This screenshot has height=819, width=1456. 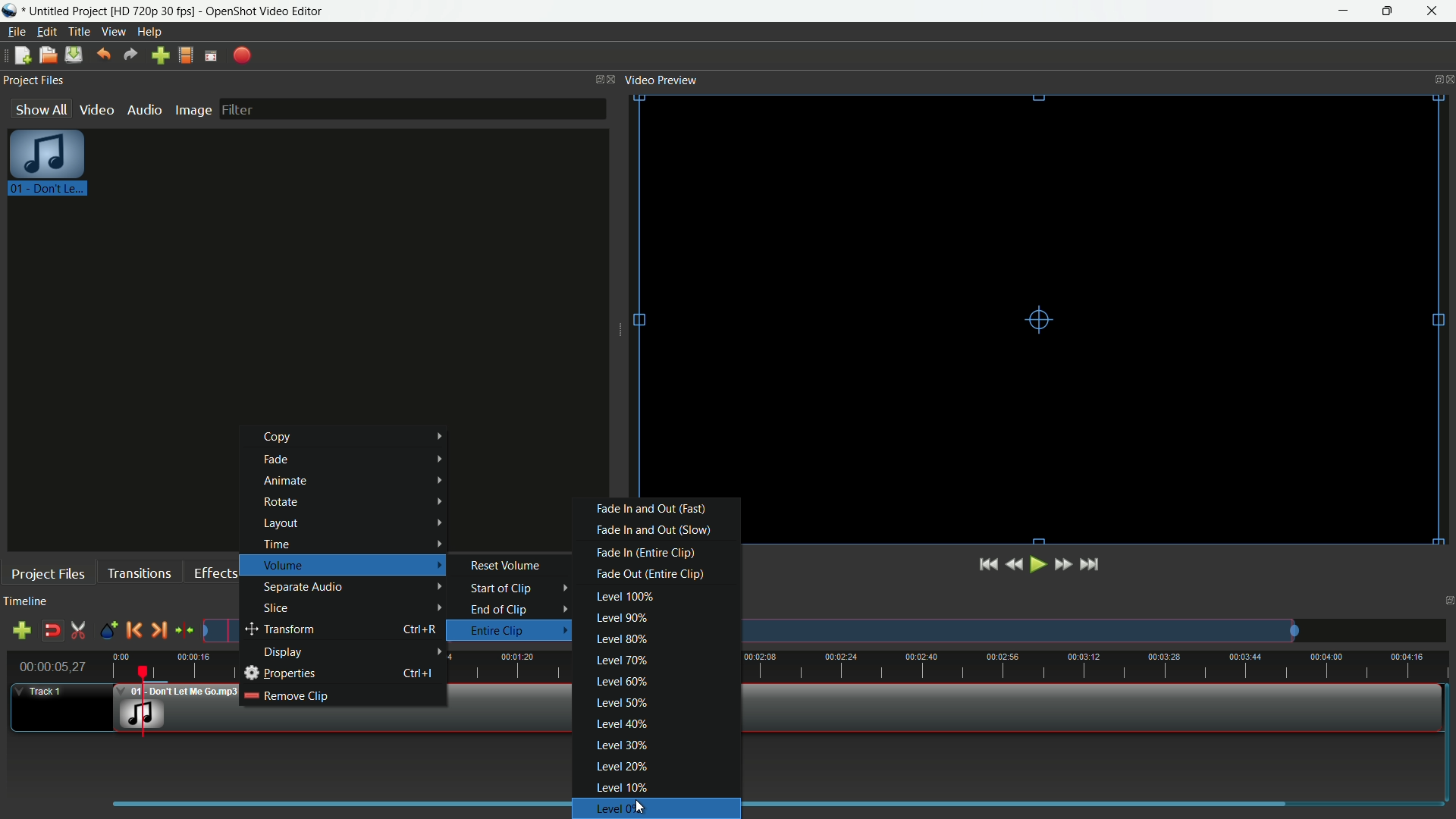 I want to click on profile, so click(x=153, y=11).